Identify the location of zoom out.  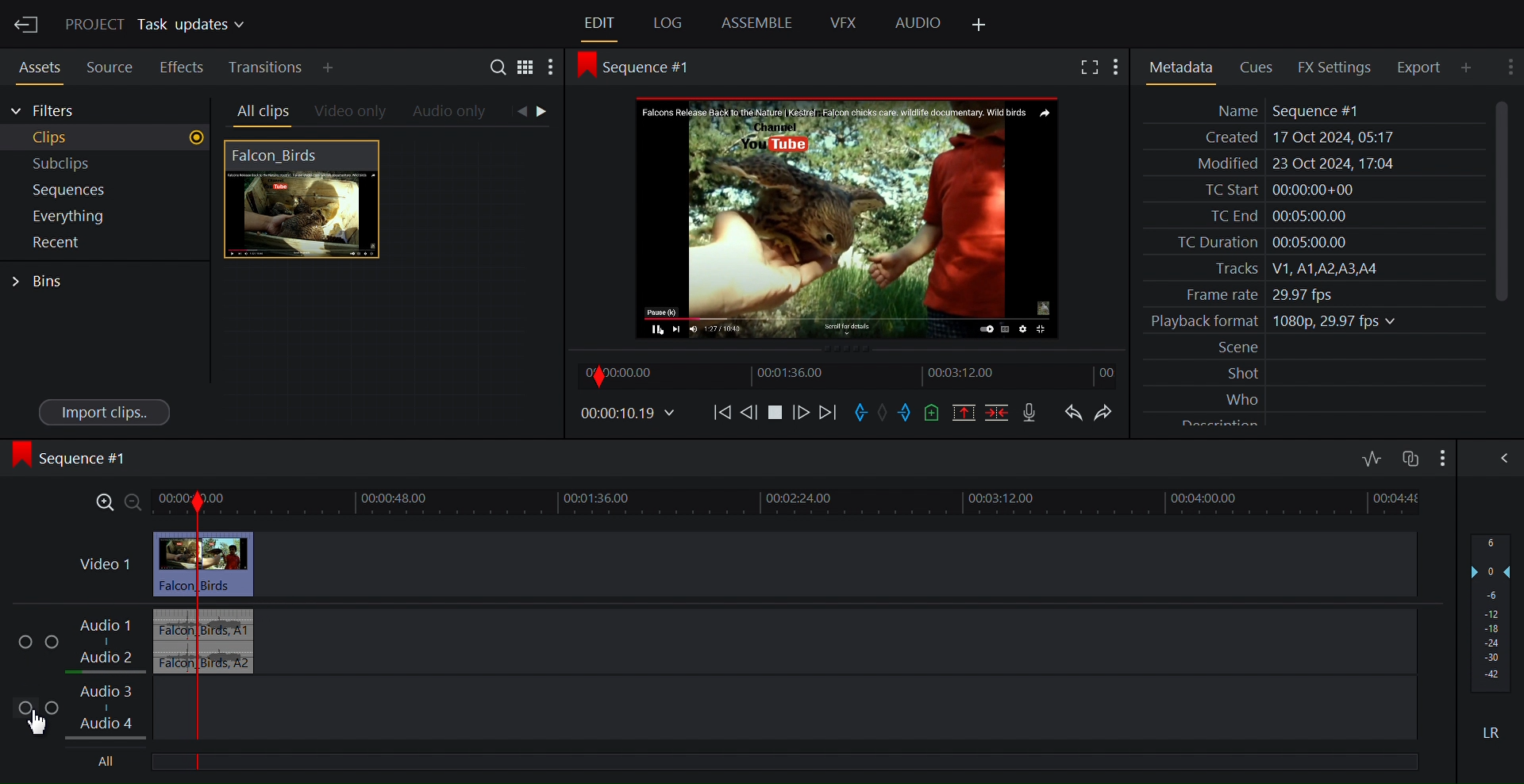
(129, 502).